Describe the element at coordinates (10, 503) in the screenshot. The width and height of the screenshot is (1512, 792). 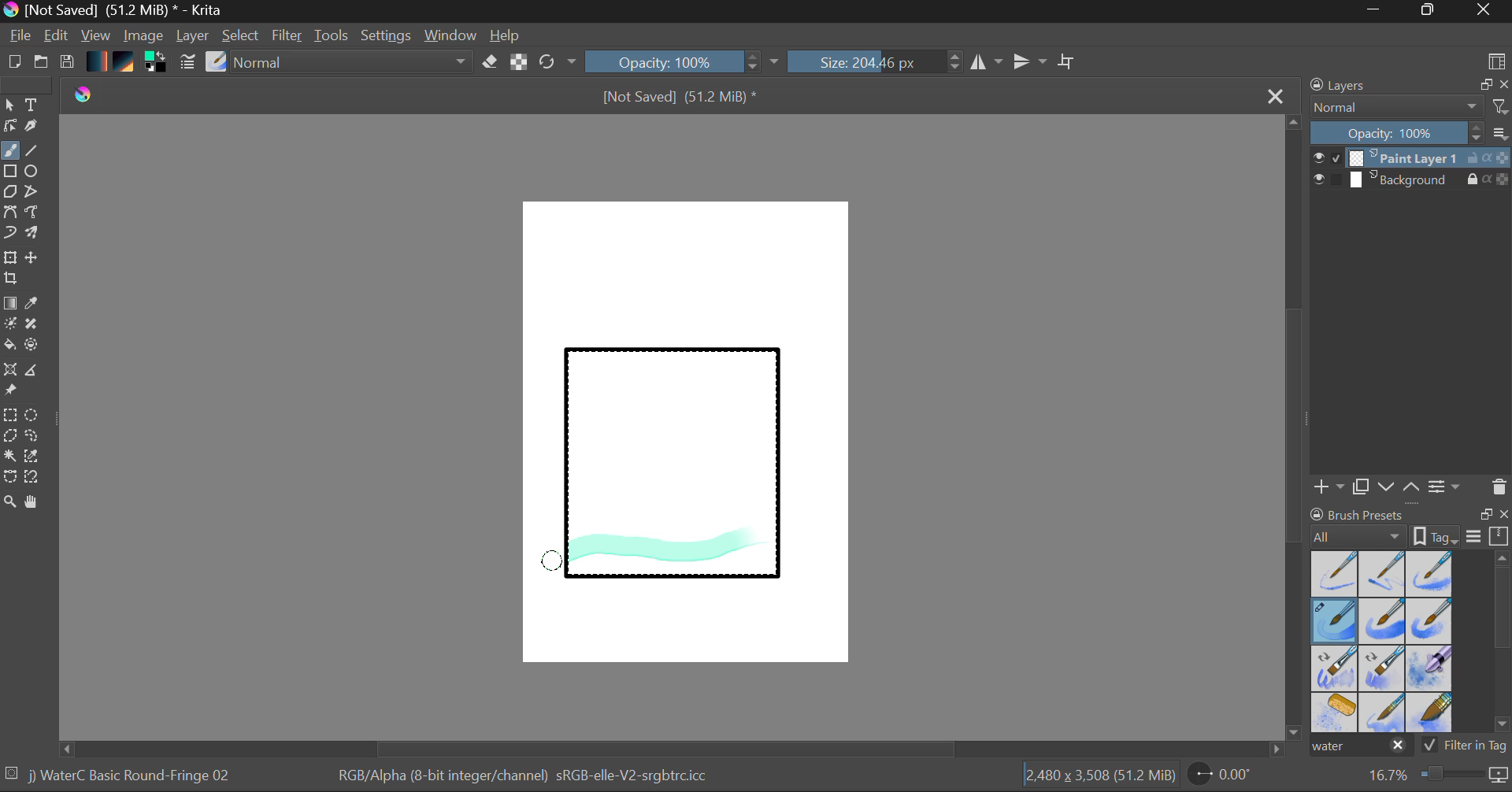
I see `Zoom` at that location.